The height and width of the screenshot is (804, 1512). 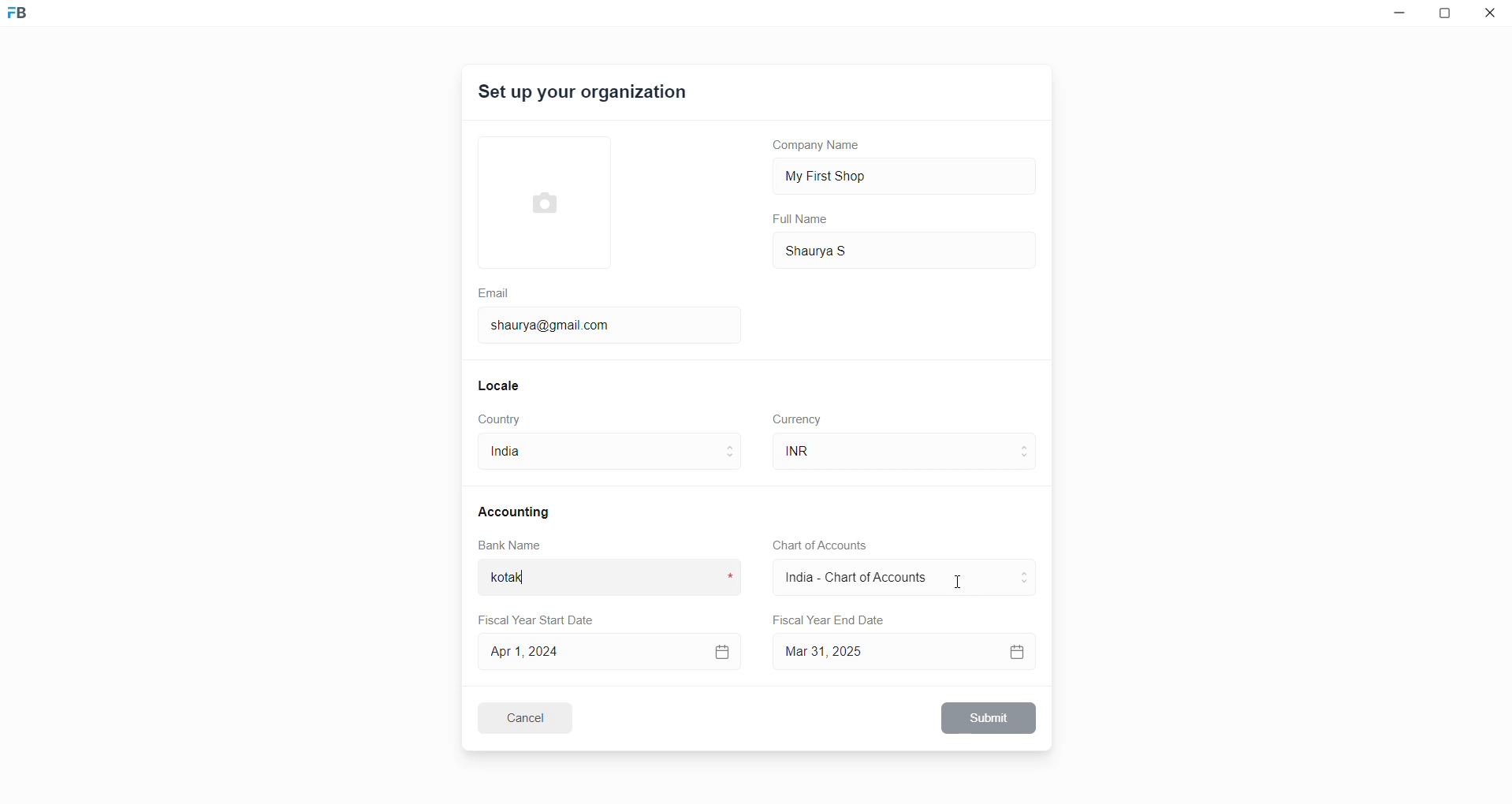 What do you see at coordinates (1026, 585) in the screenshot?
I see `move to below CoA` at bounding box center [1026, 585].